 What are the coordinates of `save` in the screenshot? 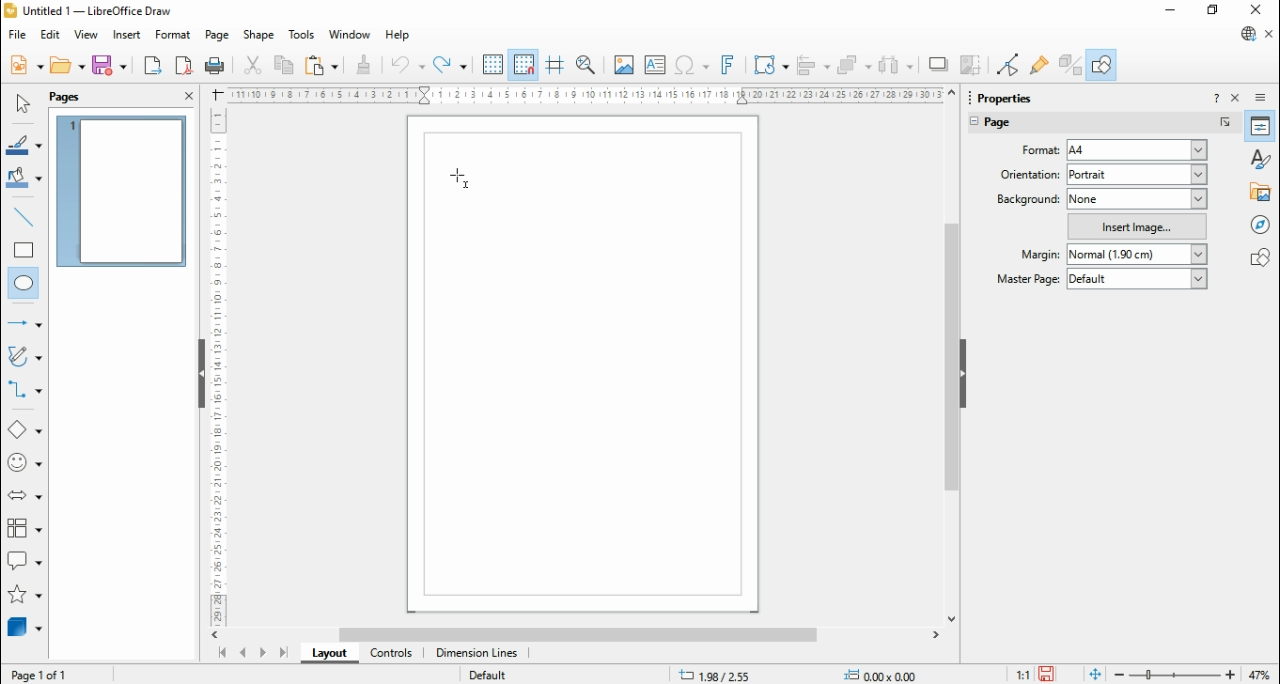 It's located at (1049, 674).